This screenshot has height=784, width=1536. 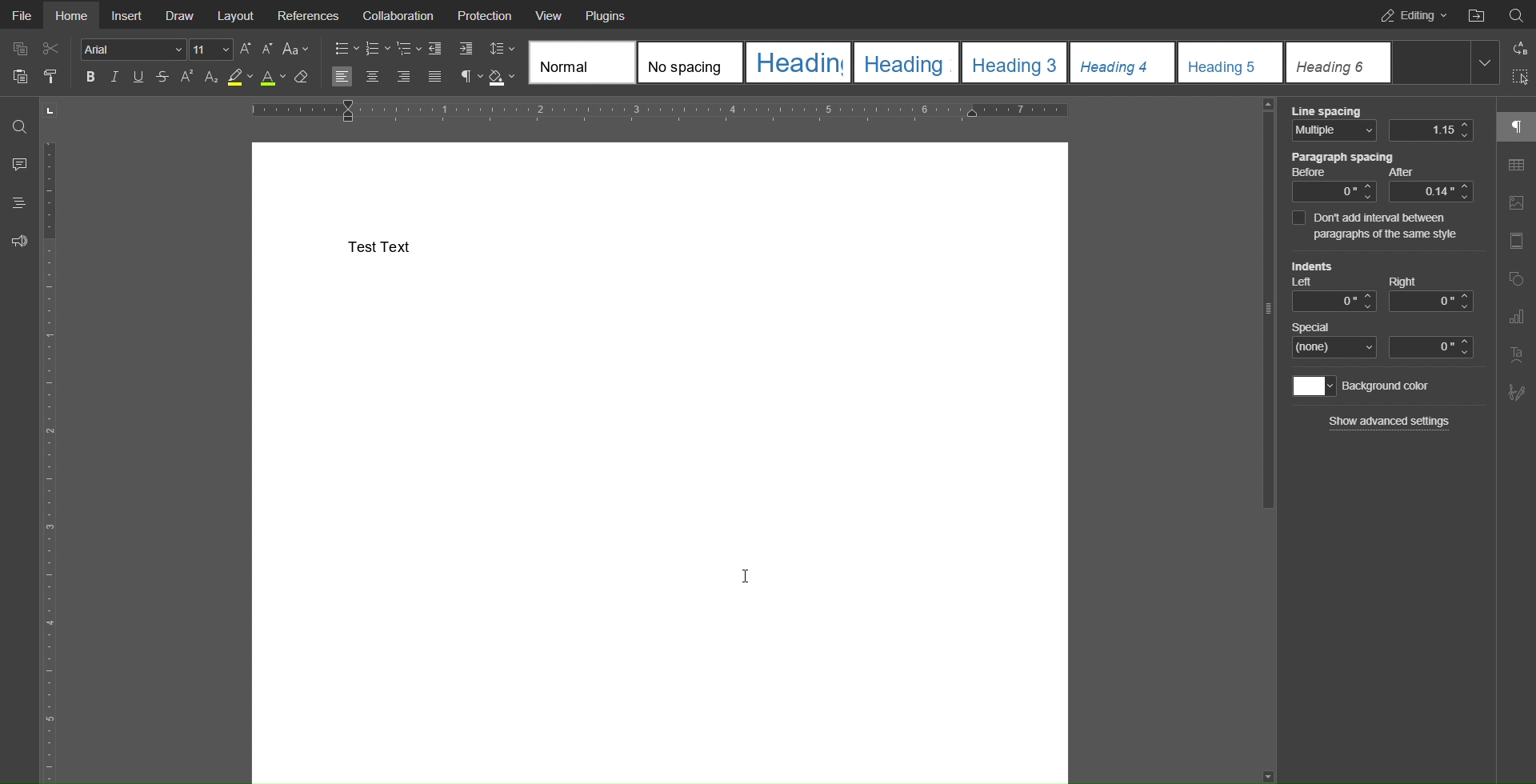 I want to click on Decrease Size, so click(x=267, y=49).